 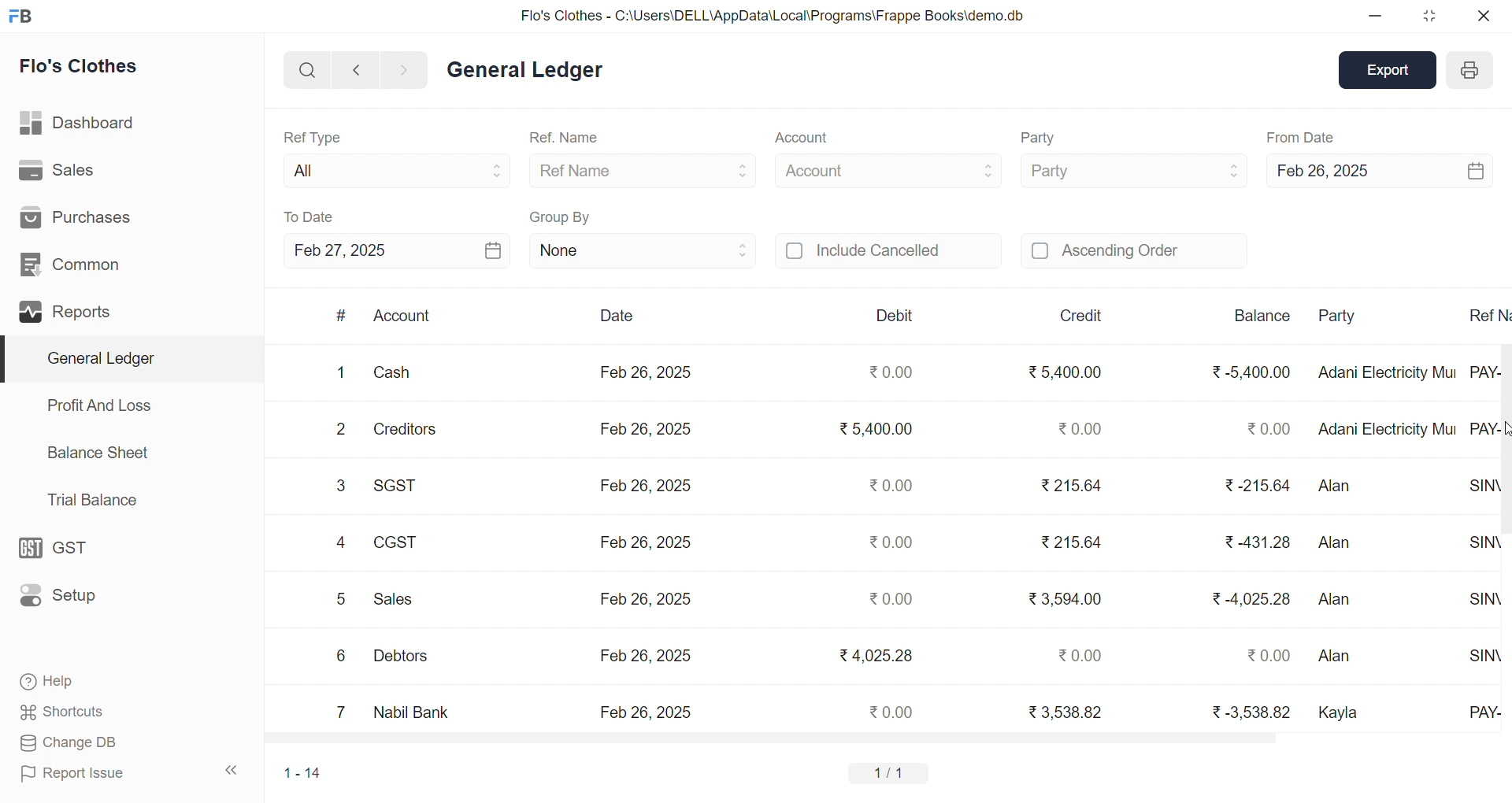 I want to click on ₹ 3,594.00, so click(x=1066, y=597).